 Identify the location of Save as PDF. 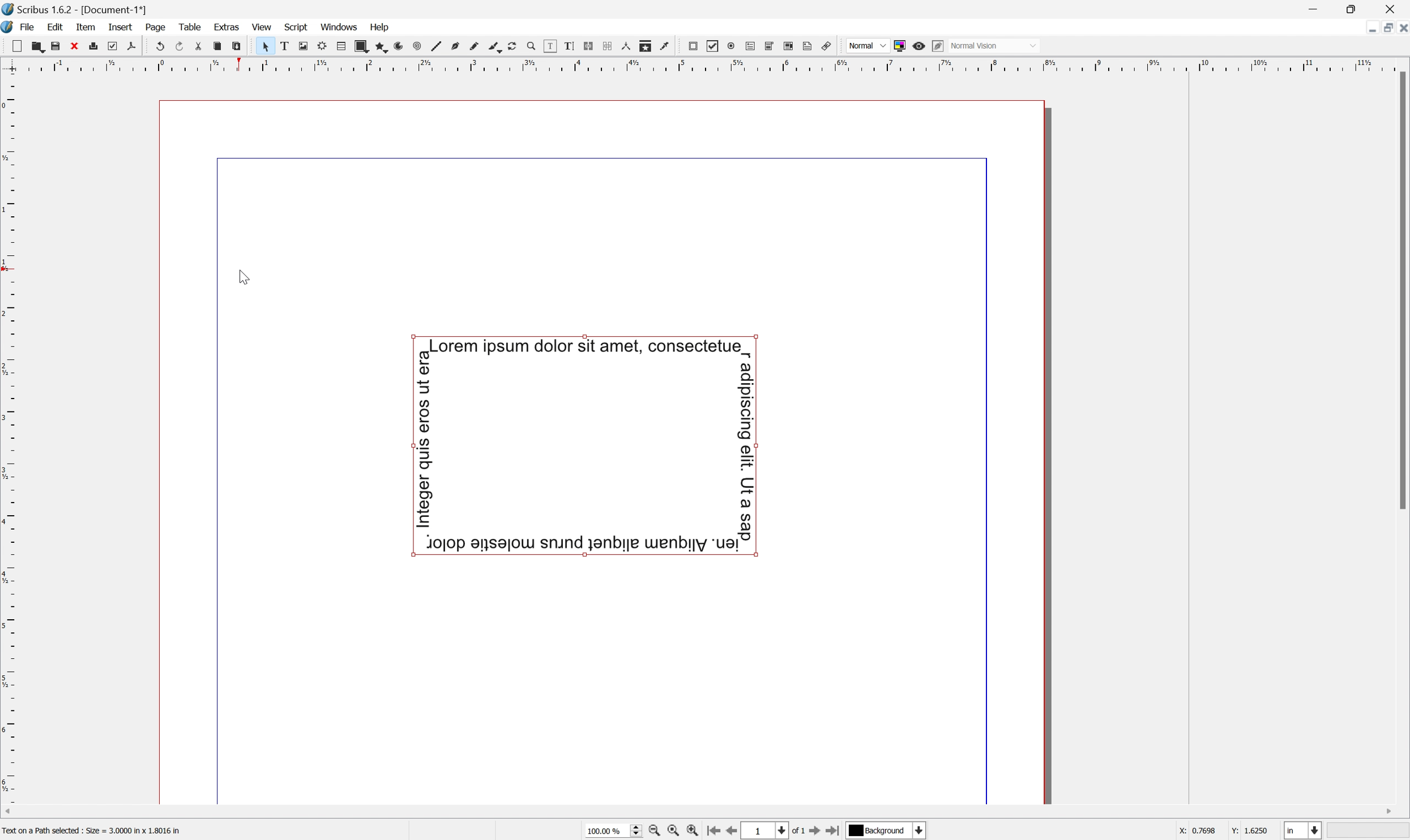
(131, 48).